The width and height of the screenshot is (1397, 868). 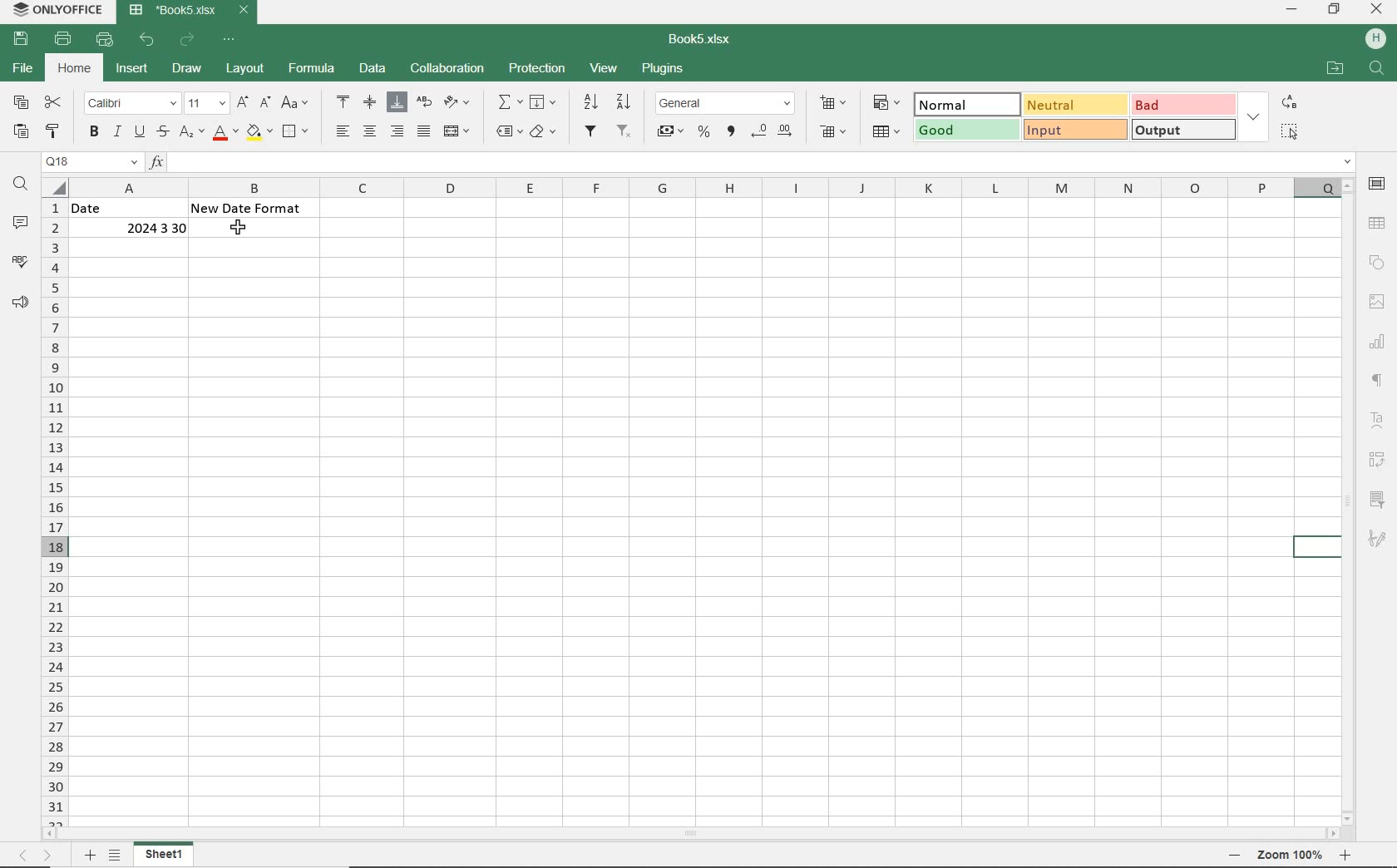 What do you see at coordinates (21, 132) in the screenshot?
I see `PASTE` at bounding box center [21, 132].